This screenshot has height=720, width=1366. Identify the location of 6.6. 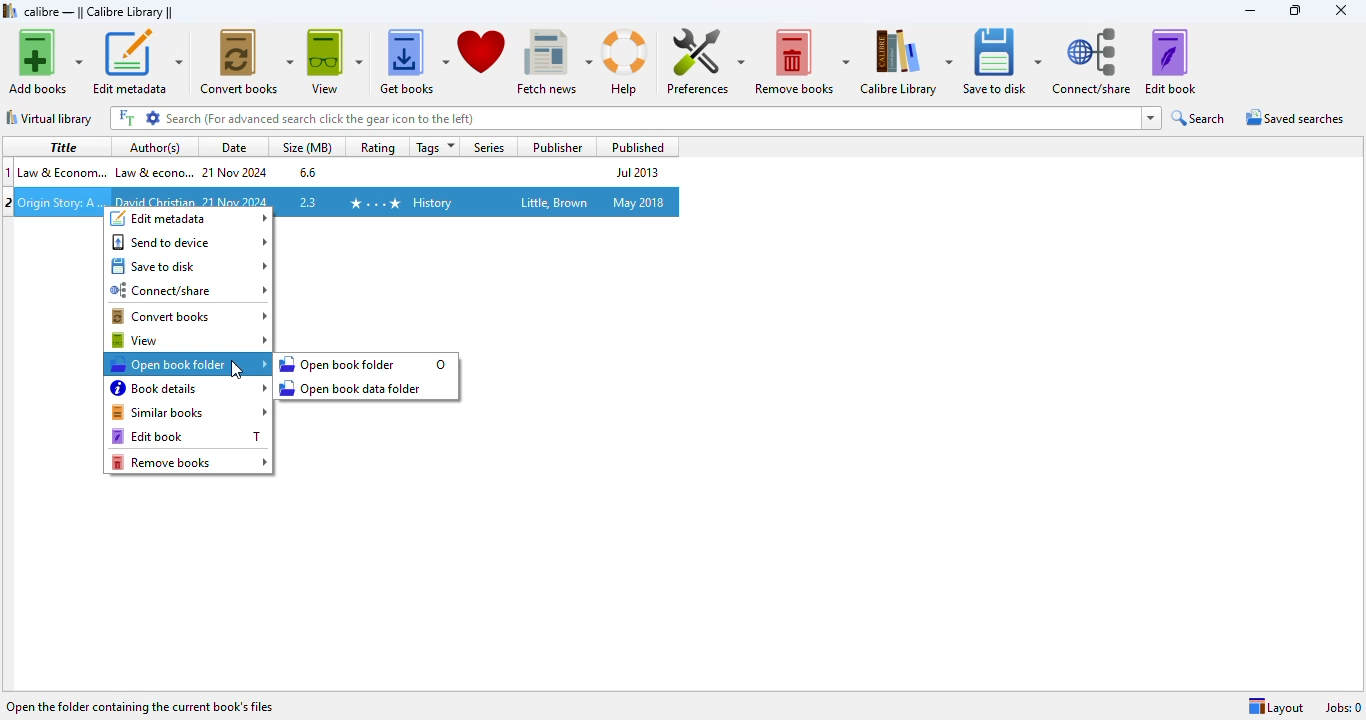
(306, 171).